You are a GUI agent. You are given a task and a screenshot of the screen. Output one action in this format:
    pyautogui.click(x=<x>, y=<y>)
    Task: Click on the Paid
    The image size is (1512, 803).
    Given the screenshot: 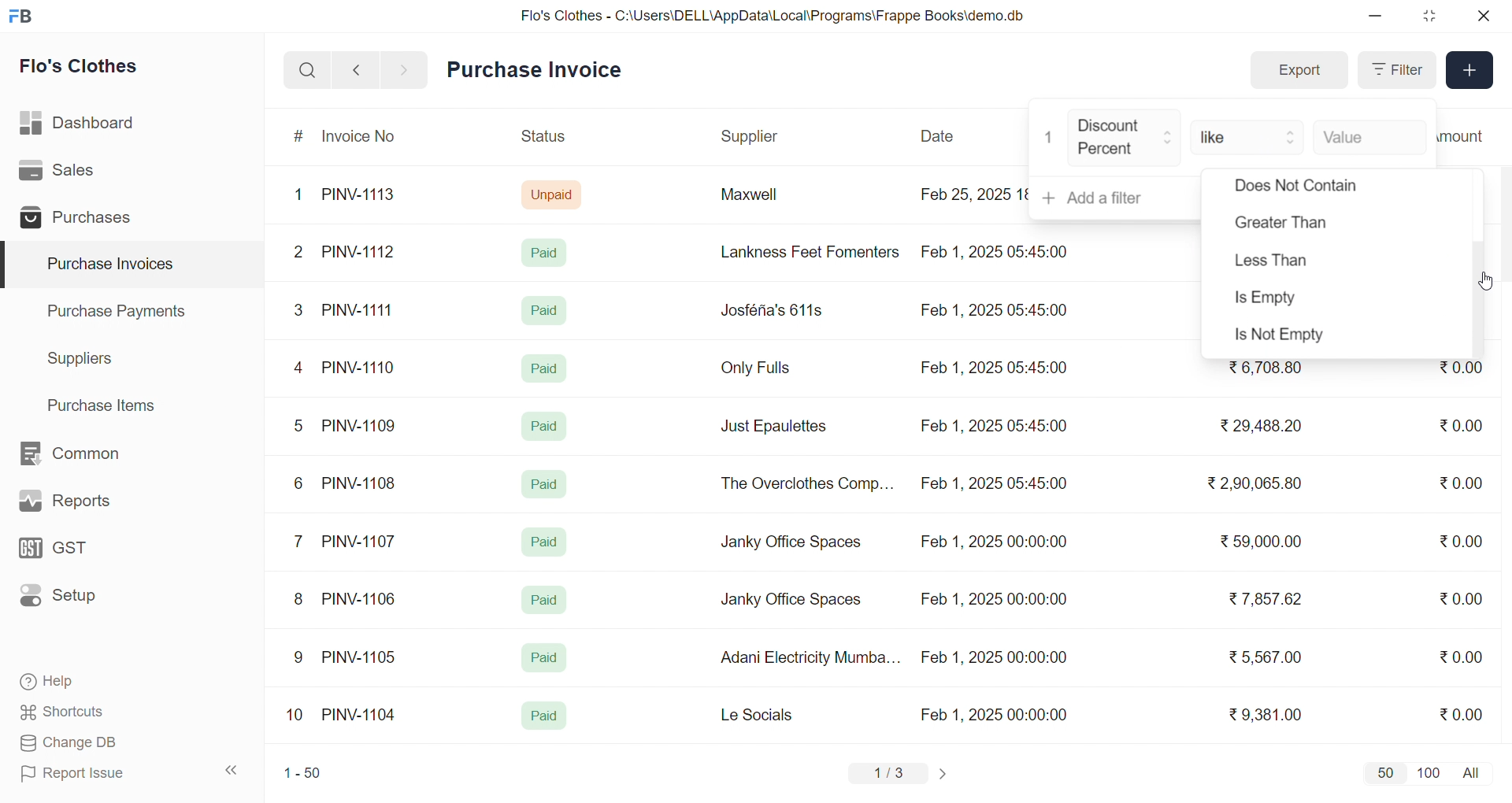 What is the action you would take?
    pyautogui.click(x=545, y=600)
    